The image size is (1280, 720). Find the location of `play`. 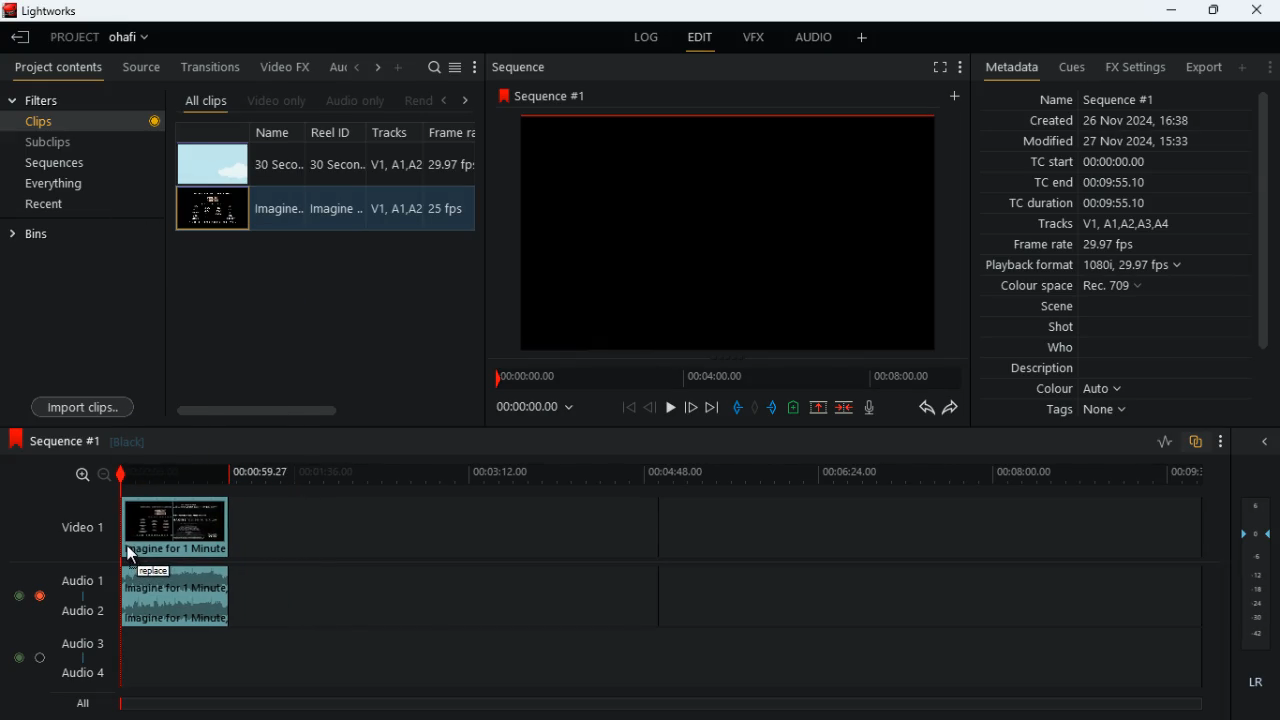

play is located at coordinates (672, 406).